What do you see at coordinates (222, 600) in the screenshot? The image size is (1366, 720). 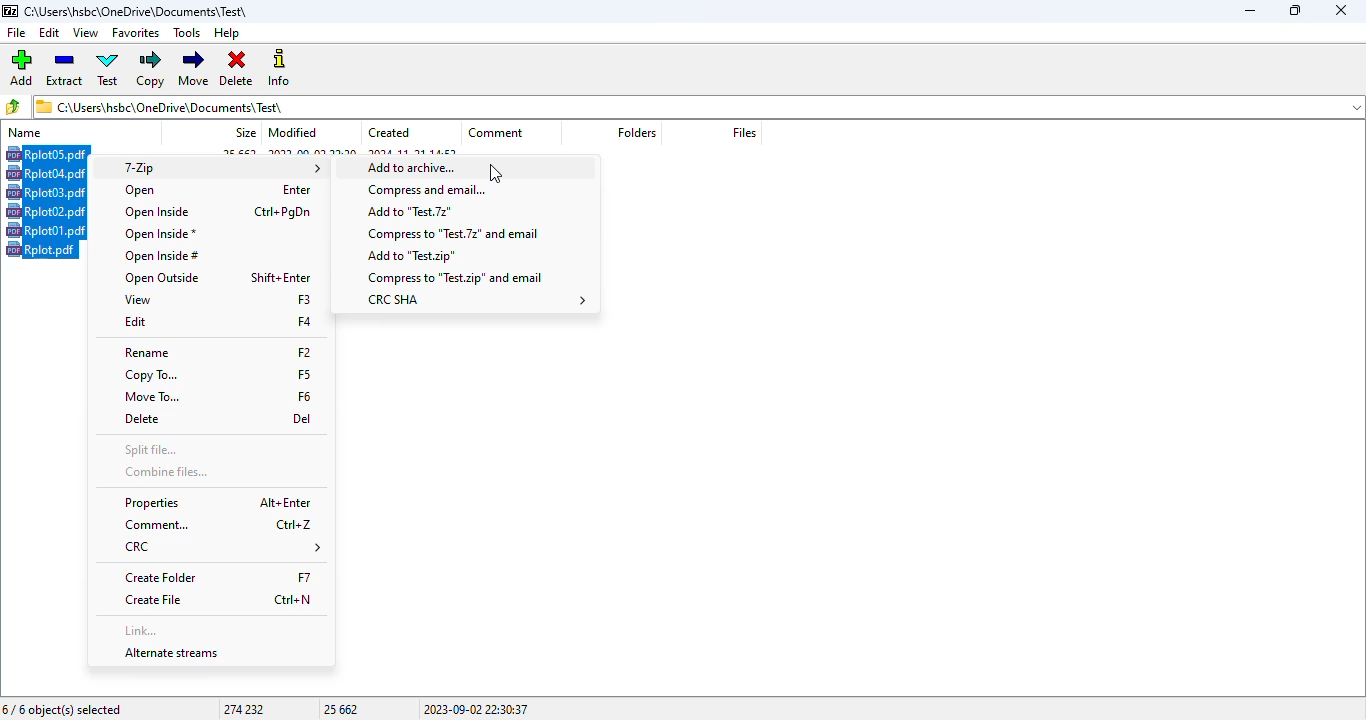 I see `create file` at bounding box center [222, 600].